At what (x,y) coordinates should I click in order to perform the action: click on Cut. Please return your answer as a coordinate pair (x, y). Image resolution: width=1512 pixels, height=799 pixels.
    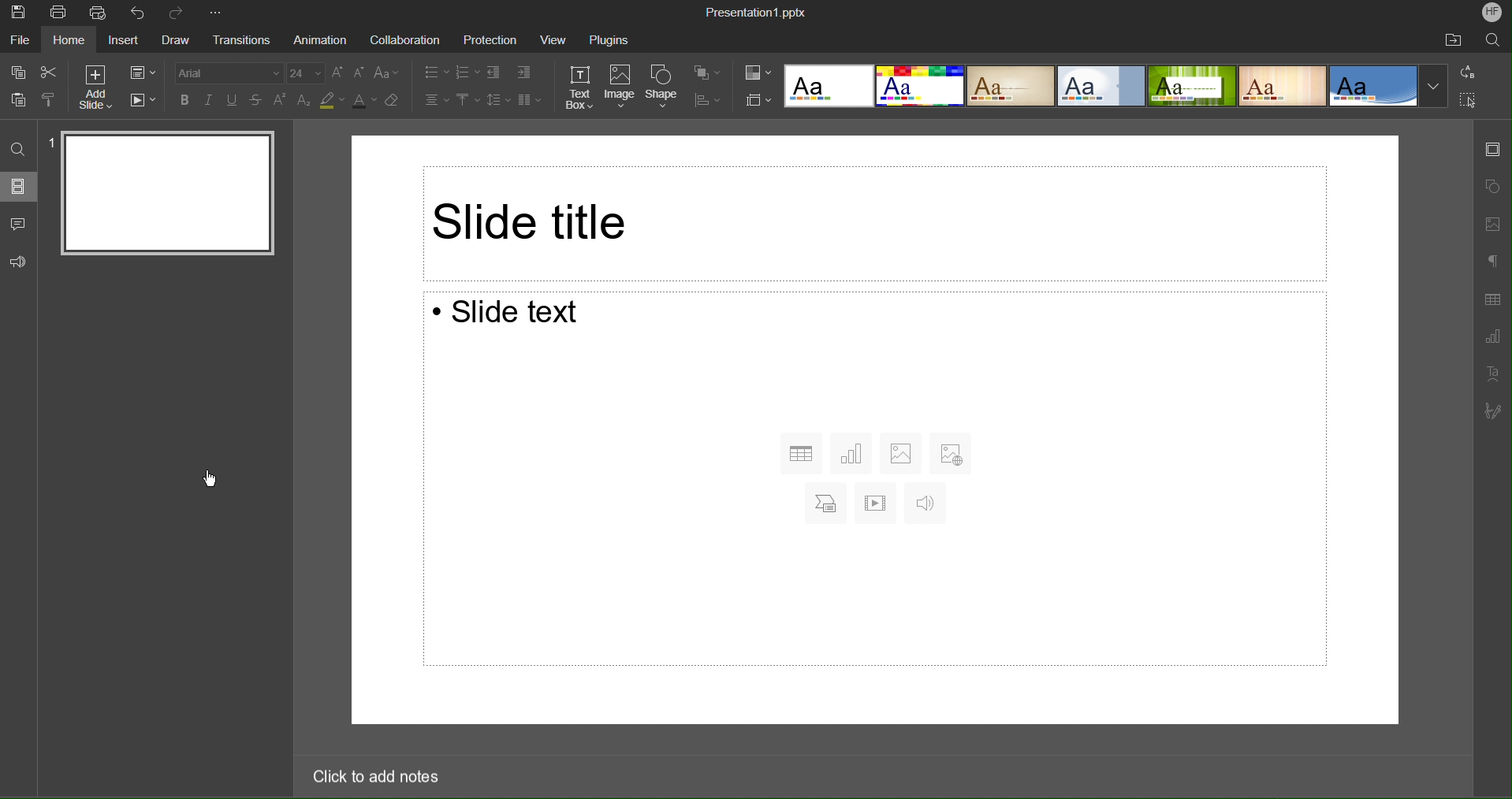
    Looking at the image, I should click on (51, 71).